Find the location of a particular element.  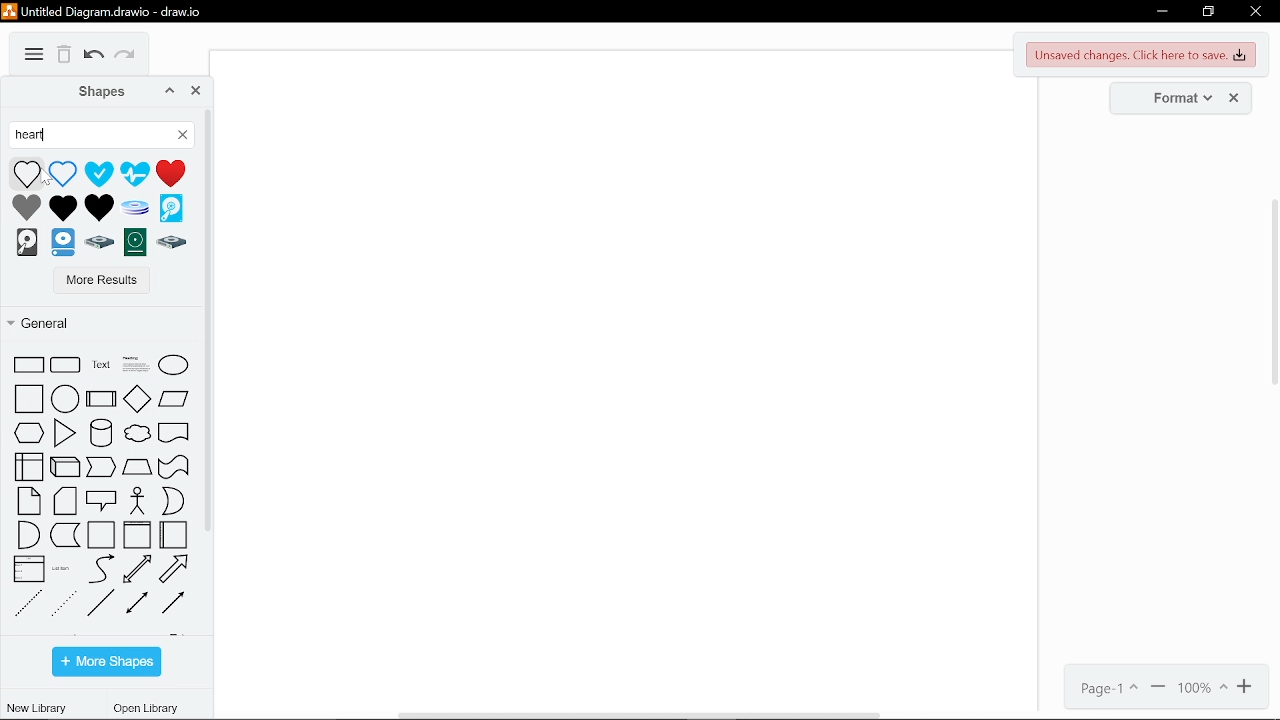

VHD is located at coordinates (171, 208).